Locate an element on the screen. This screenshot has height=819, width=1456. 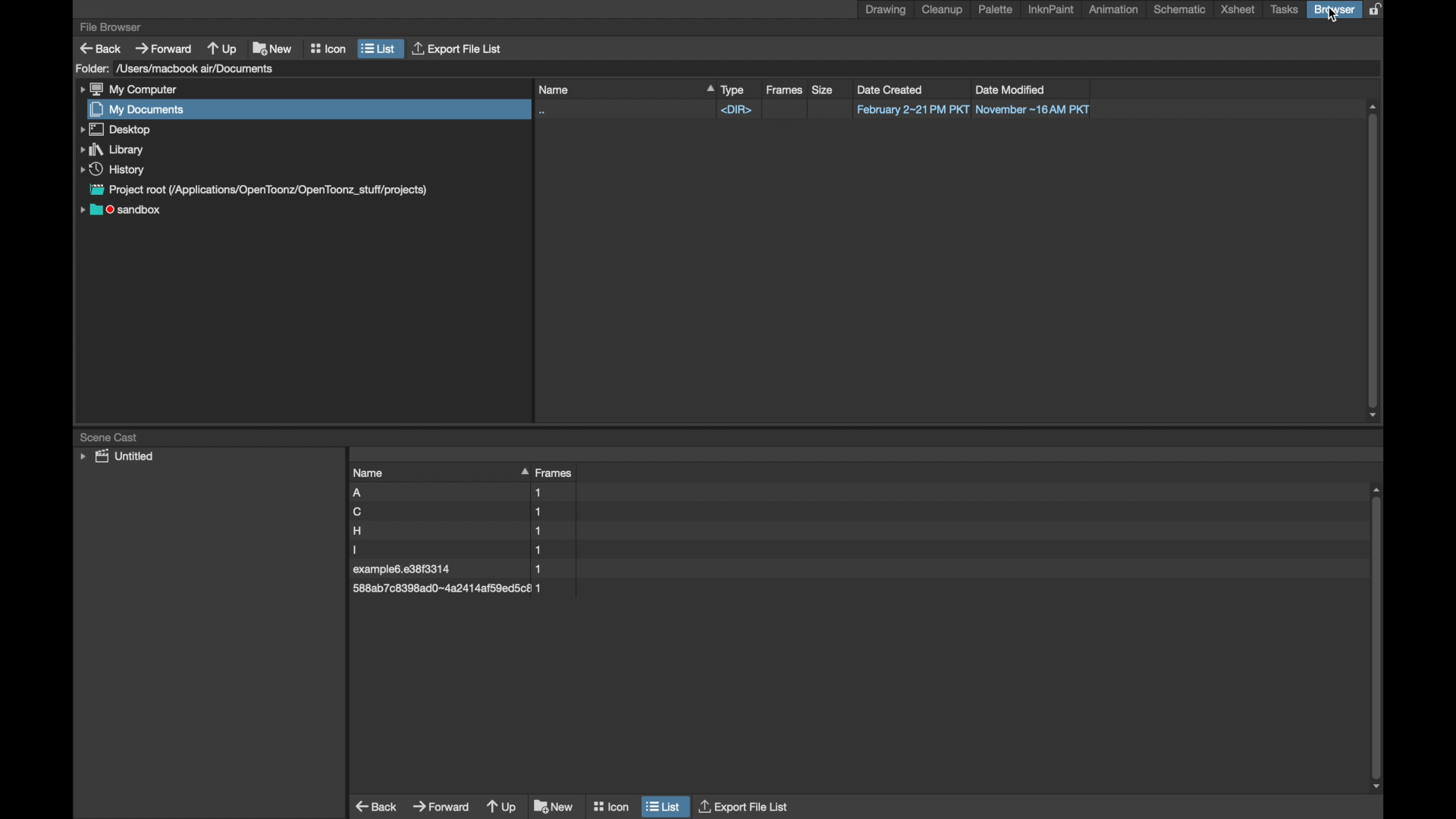
I is located at coordinates (408, 550).